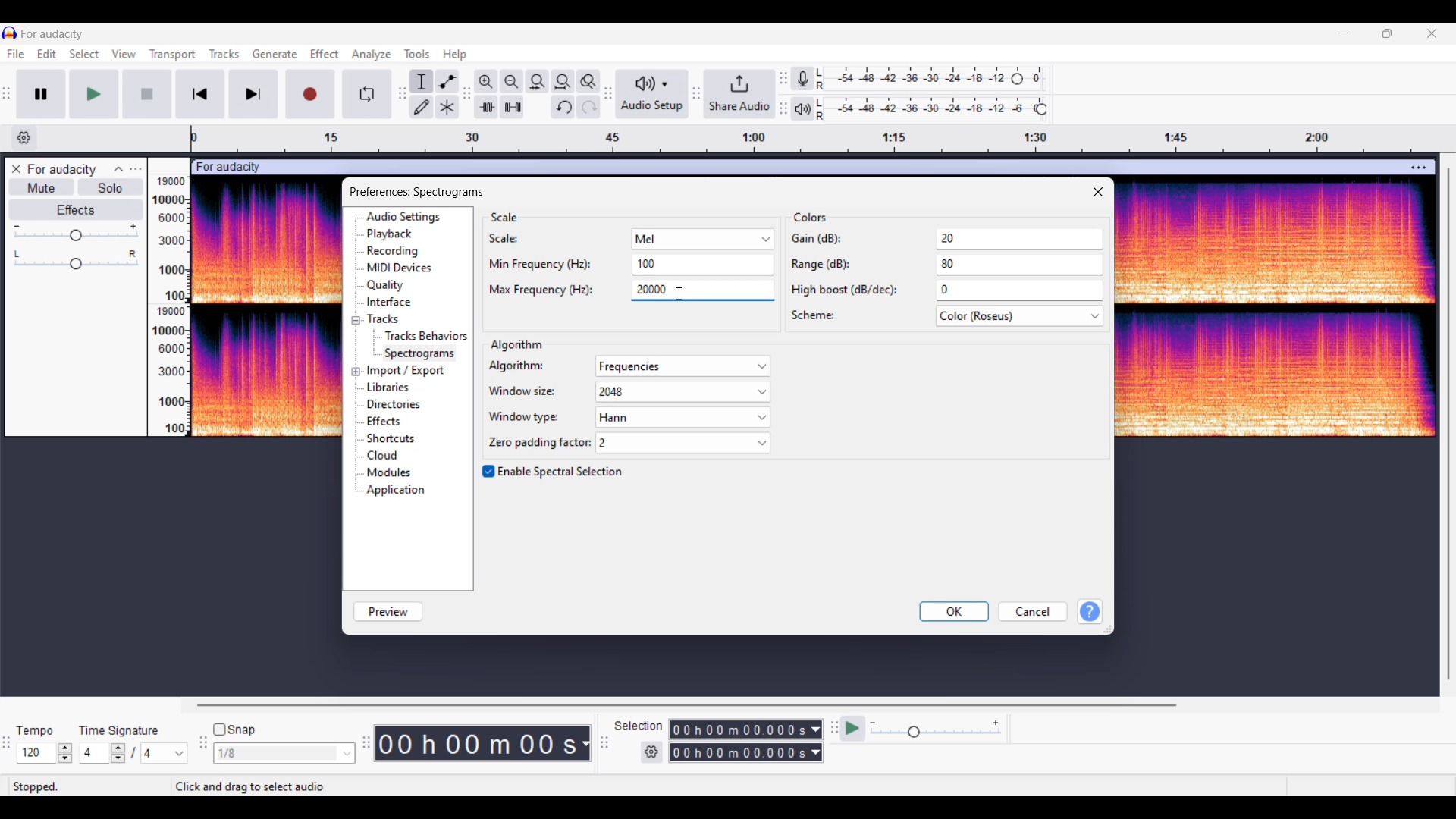  What do you see at coordinates (372, 55) in the screenshot?
I see `Analyze menu` at bounding box center [372, 55].